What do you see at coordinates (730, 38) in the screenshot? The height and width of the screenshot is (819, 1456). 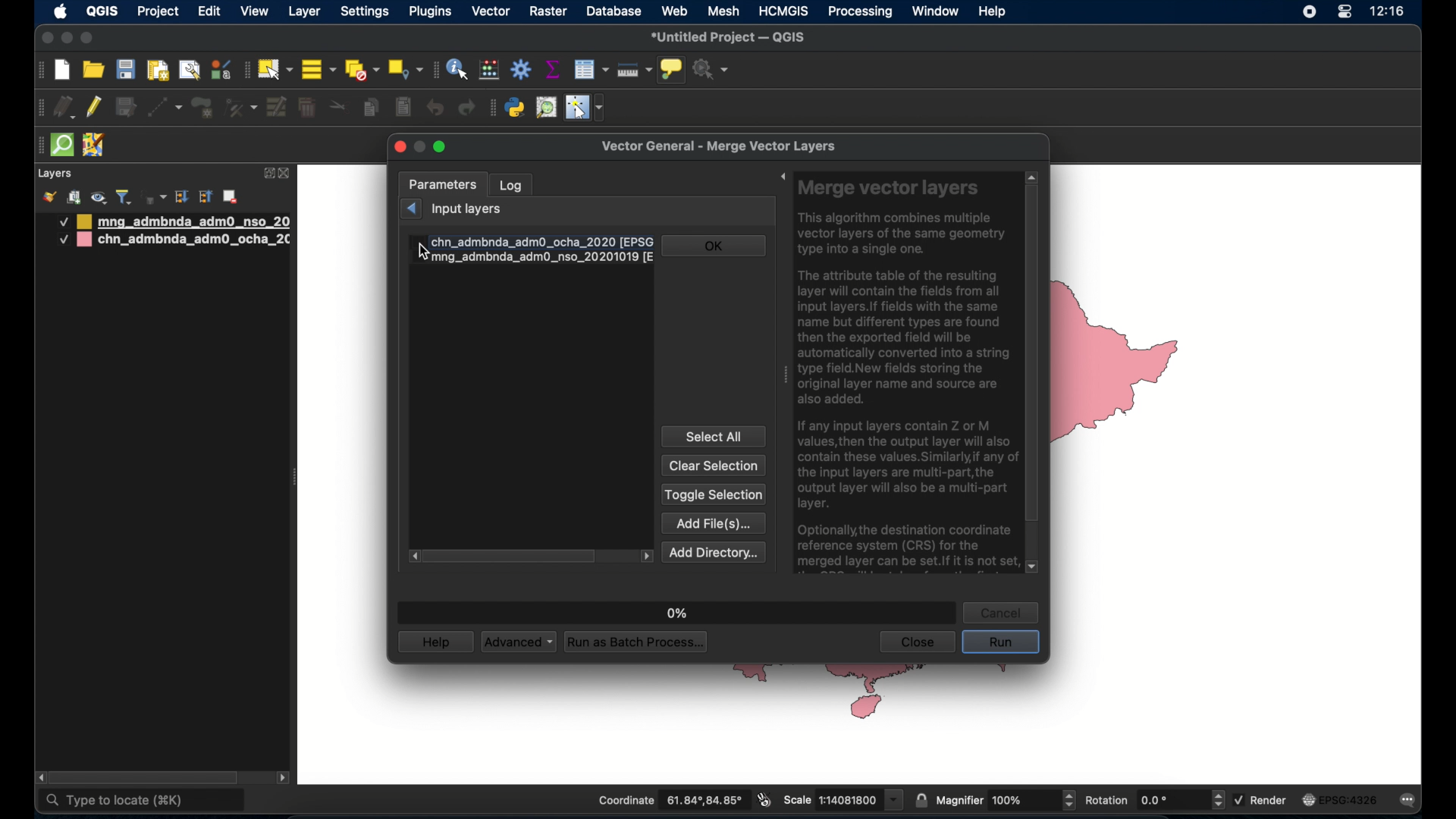 I see `untitled project - QGIS` at bounding box center [730, 38].